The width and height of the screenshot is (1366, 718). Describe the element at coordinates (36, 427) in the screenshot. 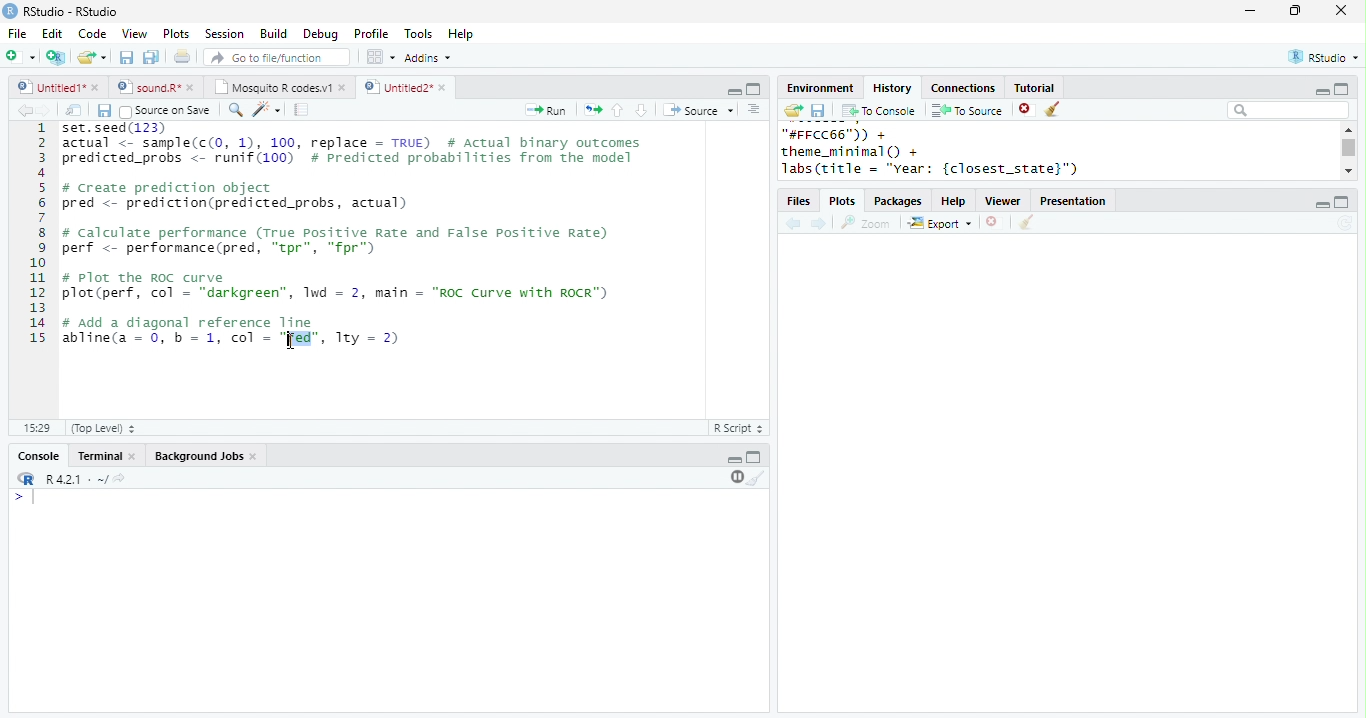

I see `15:29` at that location.